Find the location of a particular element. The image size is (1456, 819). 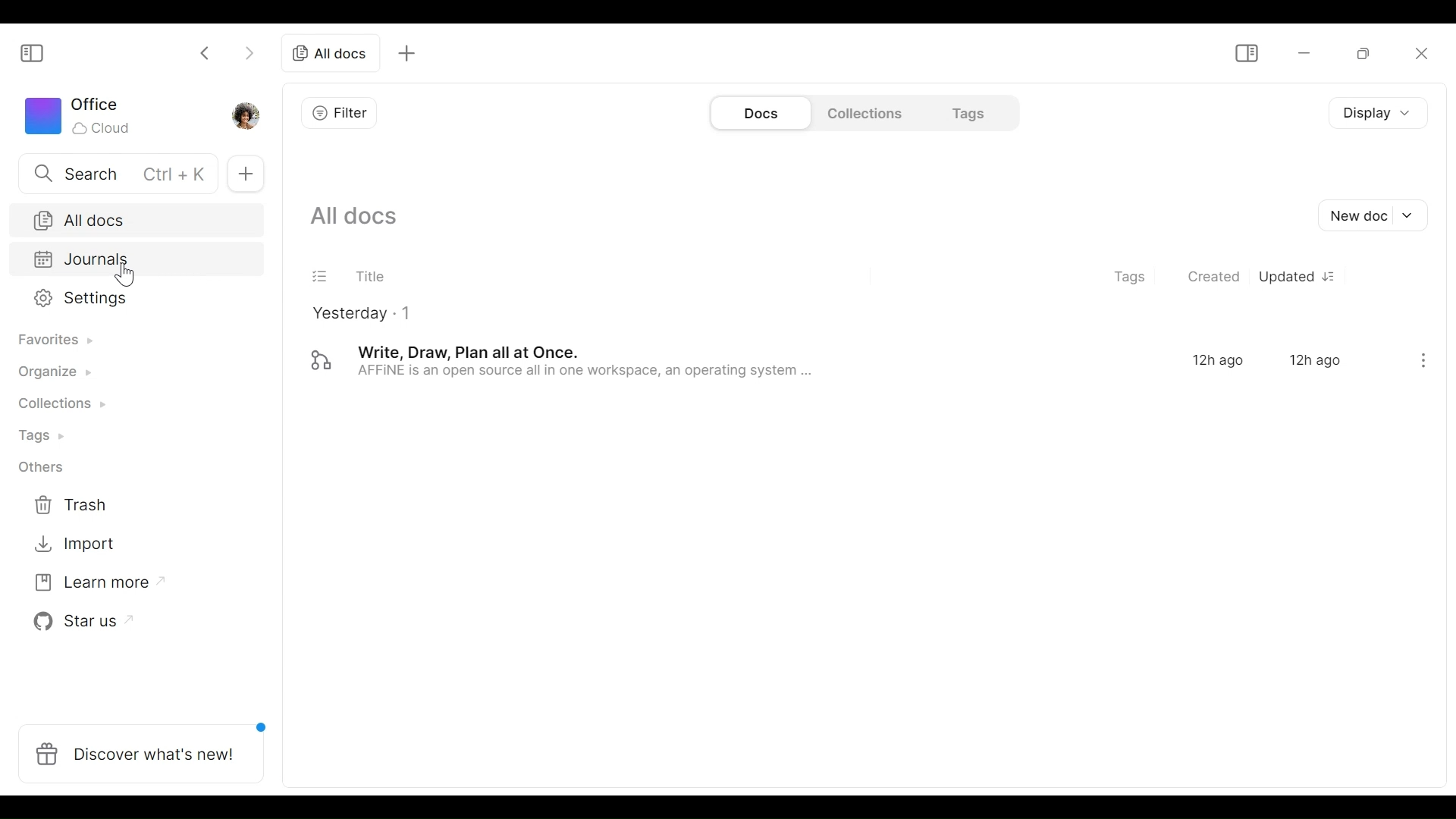

Filter is located at coordinates (340, 115).